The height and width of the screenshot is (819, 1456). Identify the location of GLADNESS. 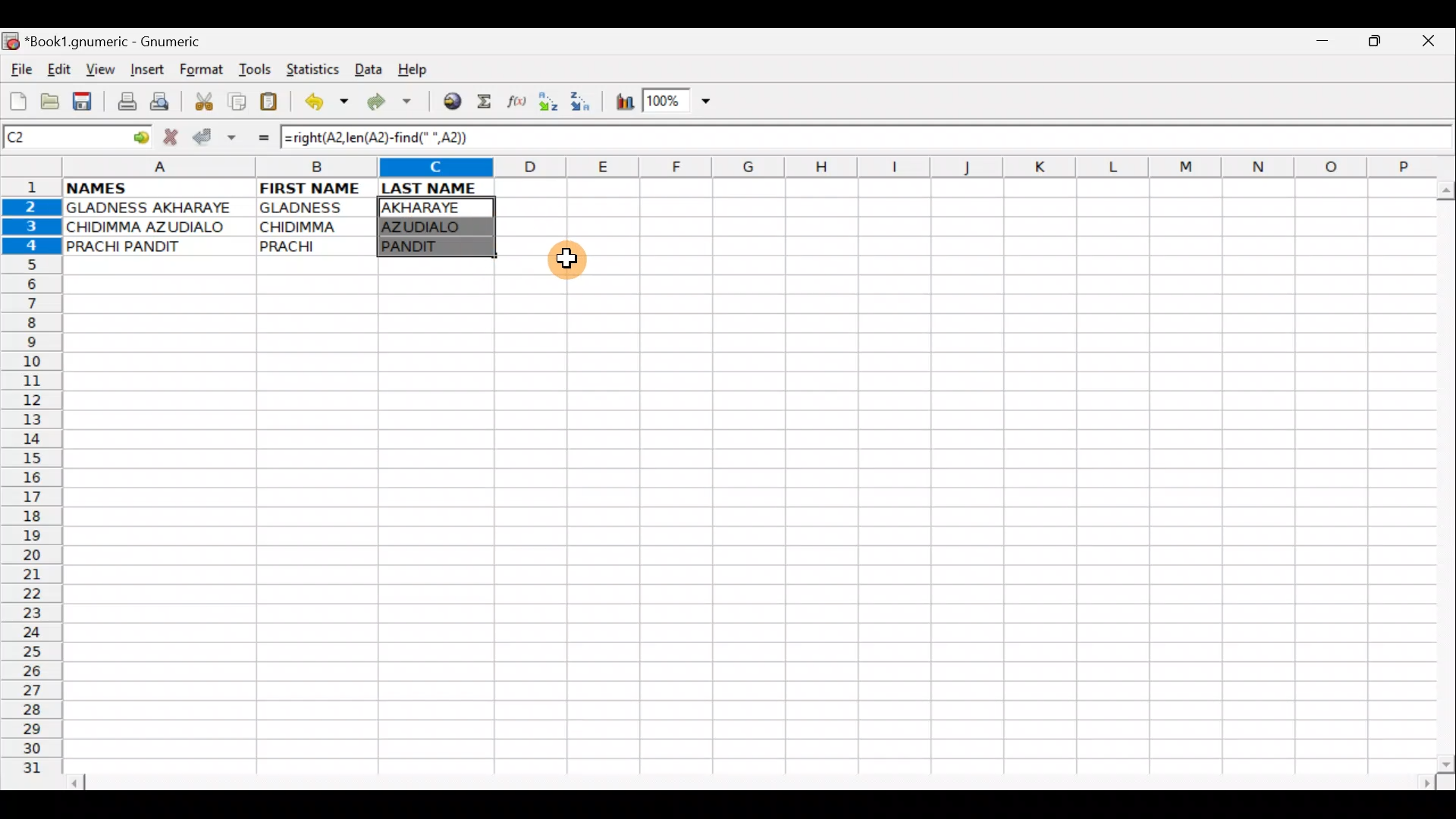
(313, 208).